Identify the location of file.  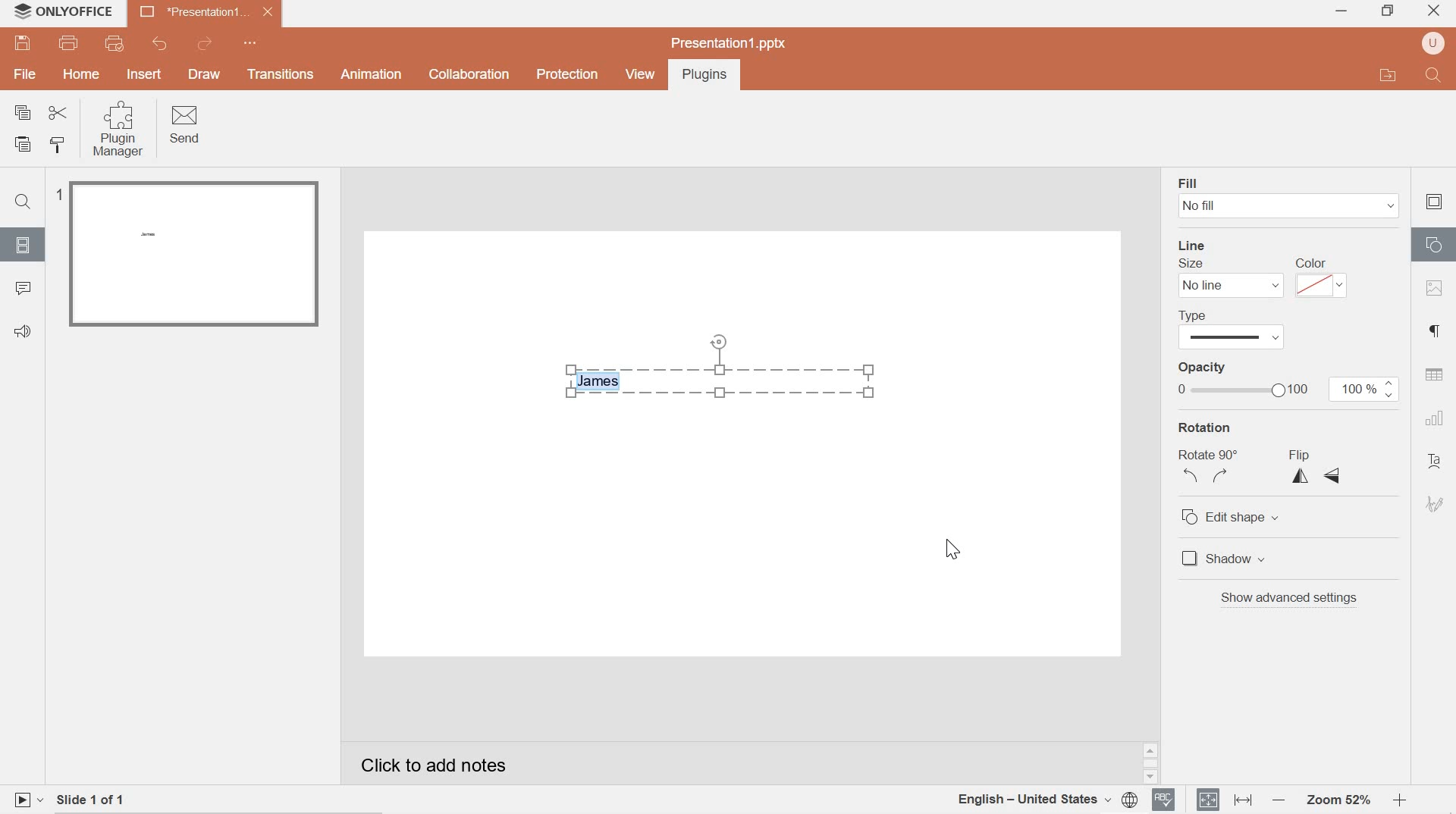
(26, 76).